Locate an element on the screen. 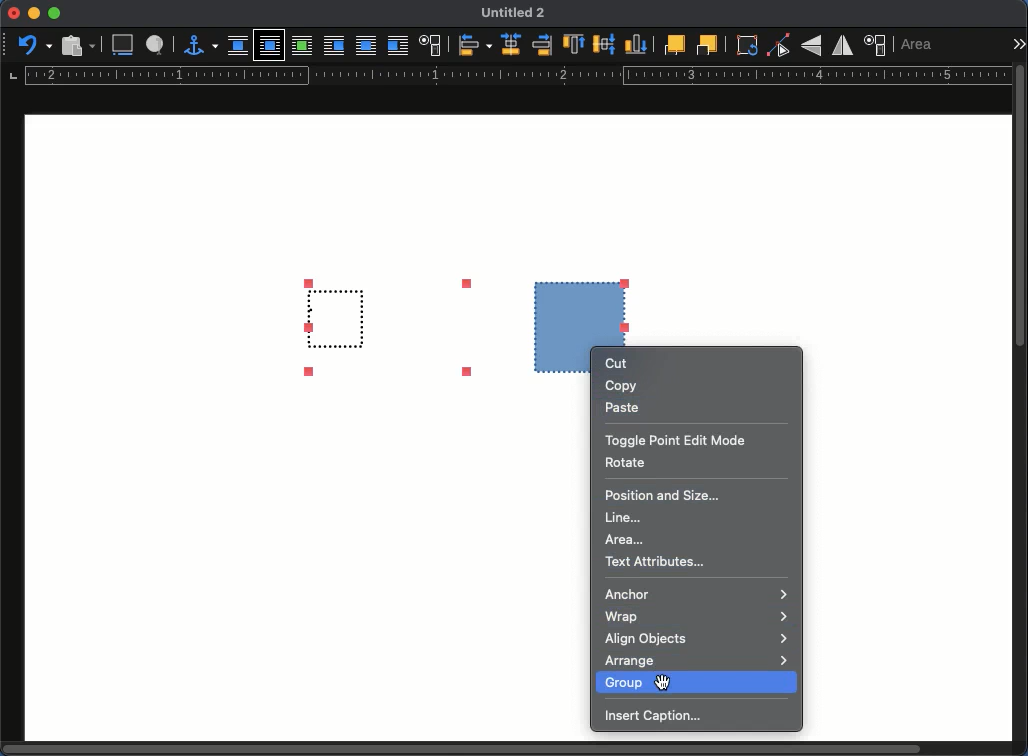 This screenshot has height=756, width=1028. align objects is located at coordinates (472, 45).